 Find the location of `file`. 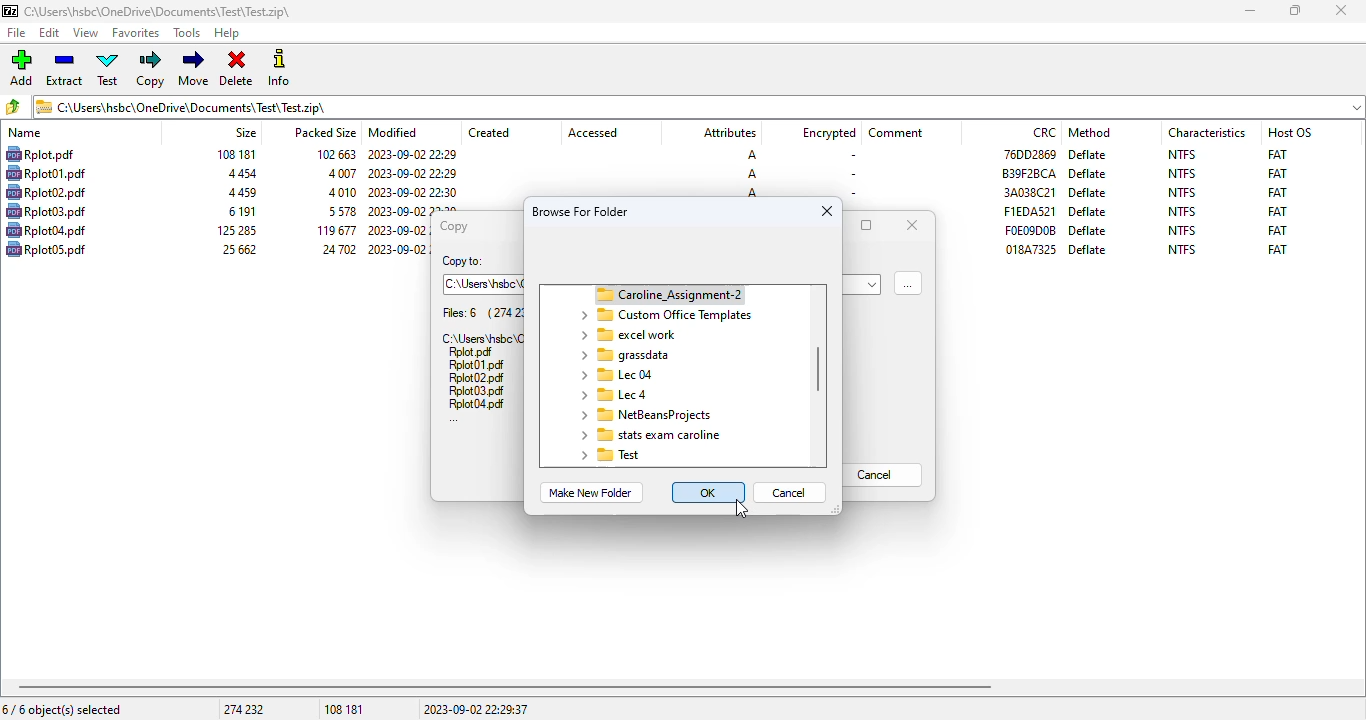

file is located at coordinates (477, 404).